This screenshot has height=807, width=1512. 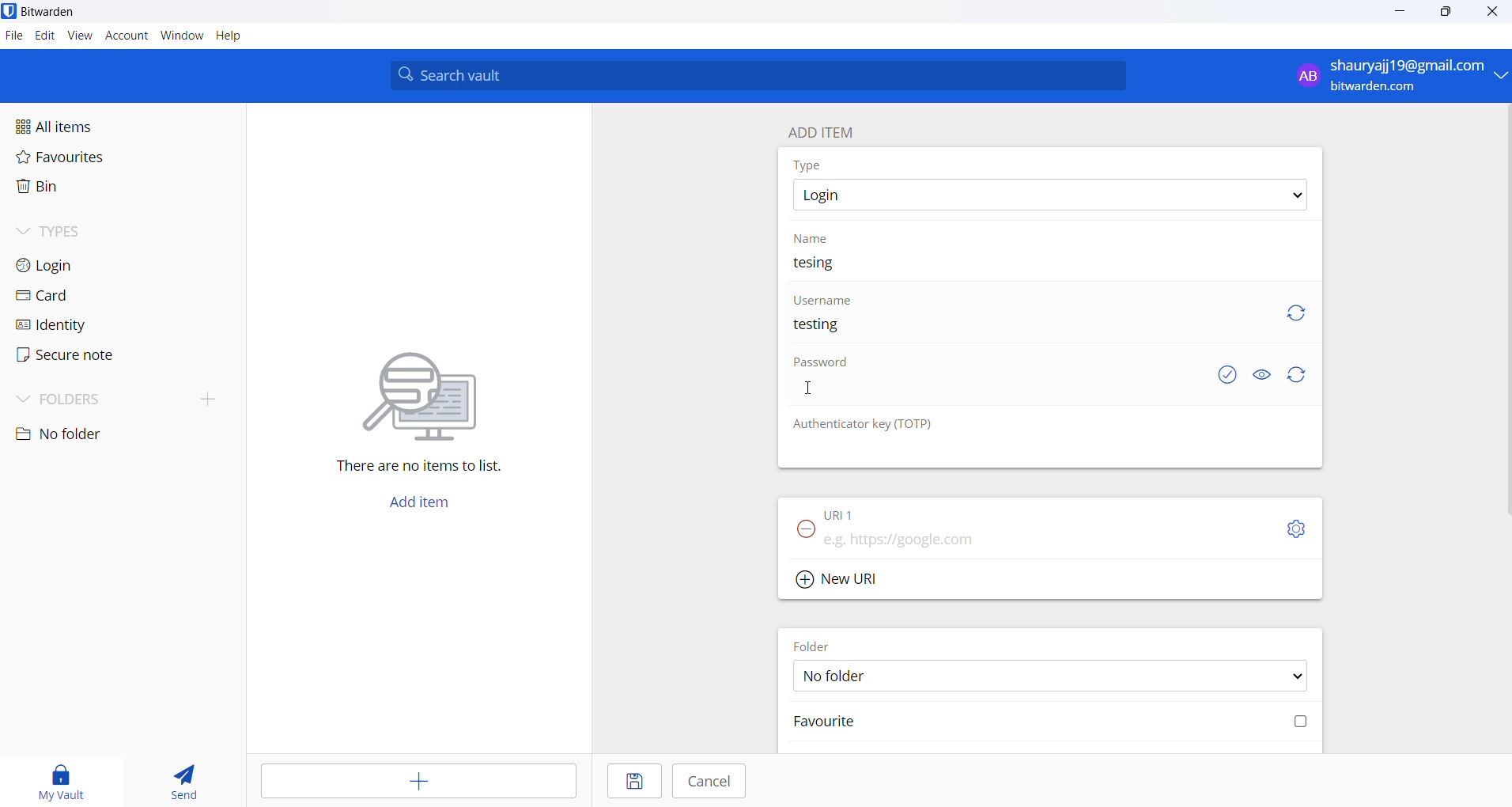 What do you see at coordinates (1049, 195) in the screenshot?
I see `Item type options dropdown` at bounding box center [1049, 195].